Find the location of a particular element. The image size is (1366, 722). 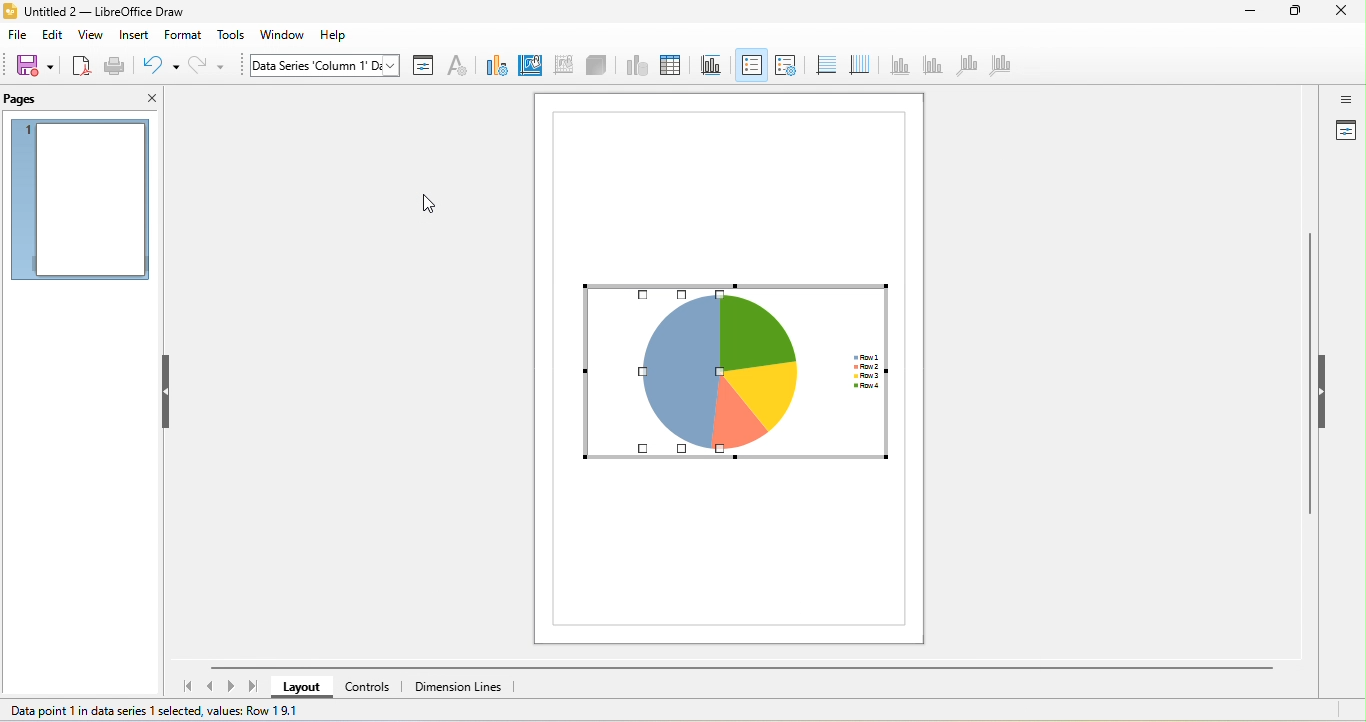

maximize is located at coordinates (1295, 12).